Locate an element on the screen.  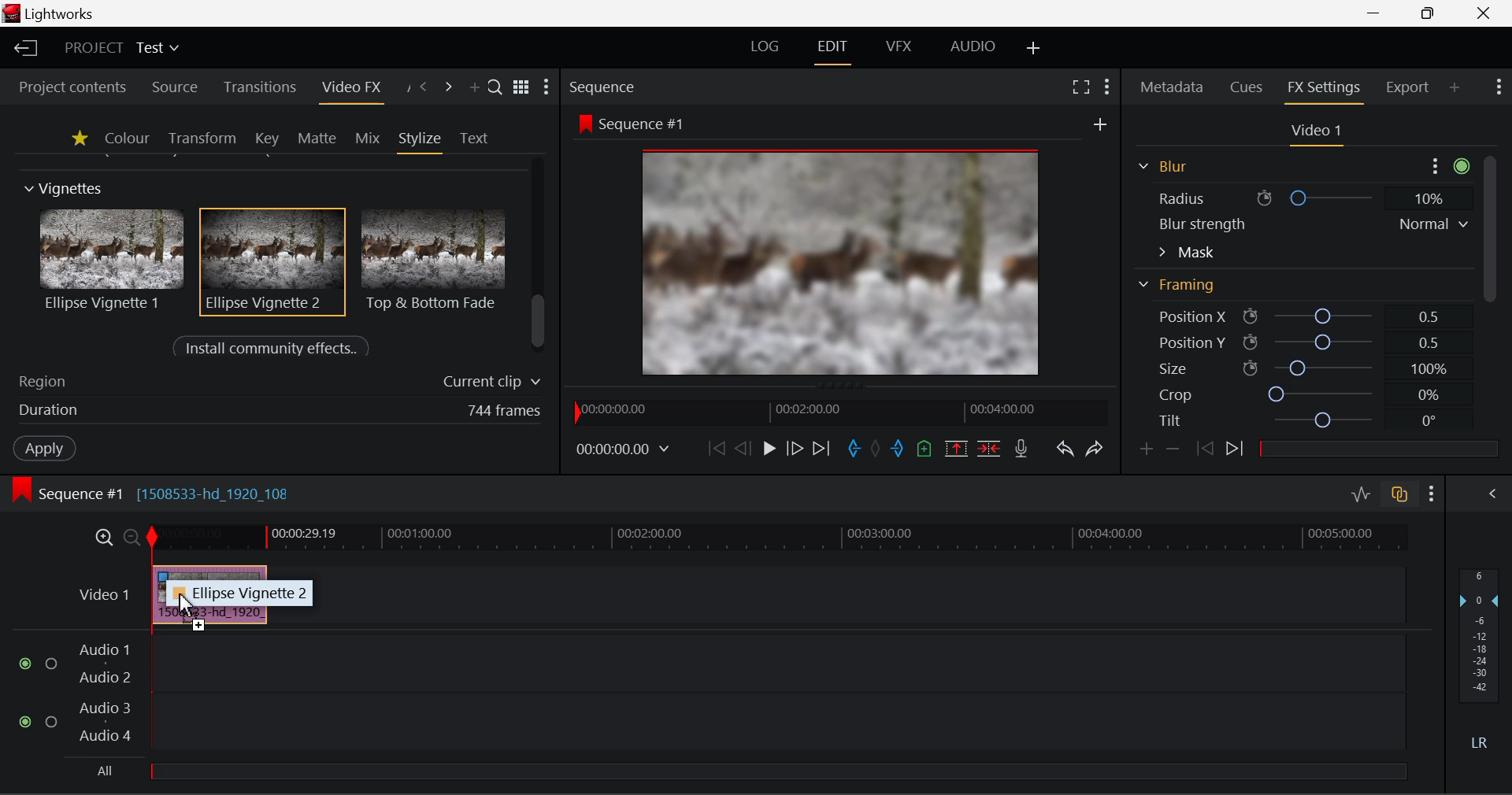
Toggle list & title view is located at coordinates (521, 89).